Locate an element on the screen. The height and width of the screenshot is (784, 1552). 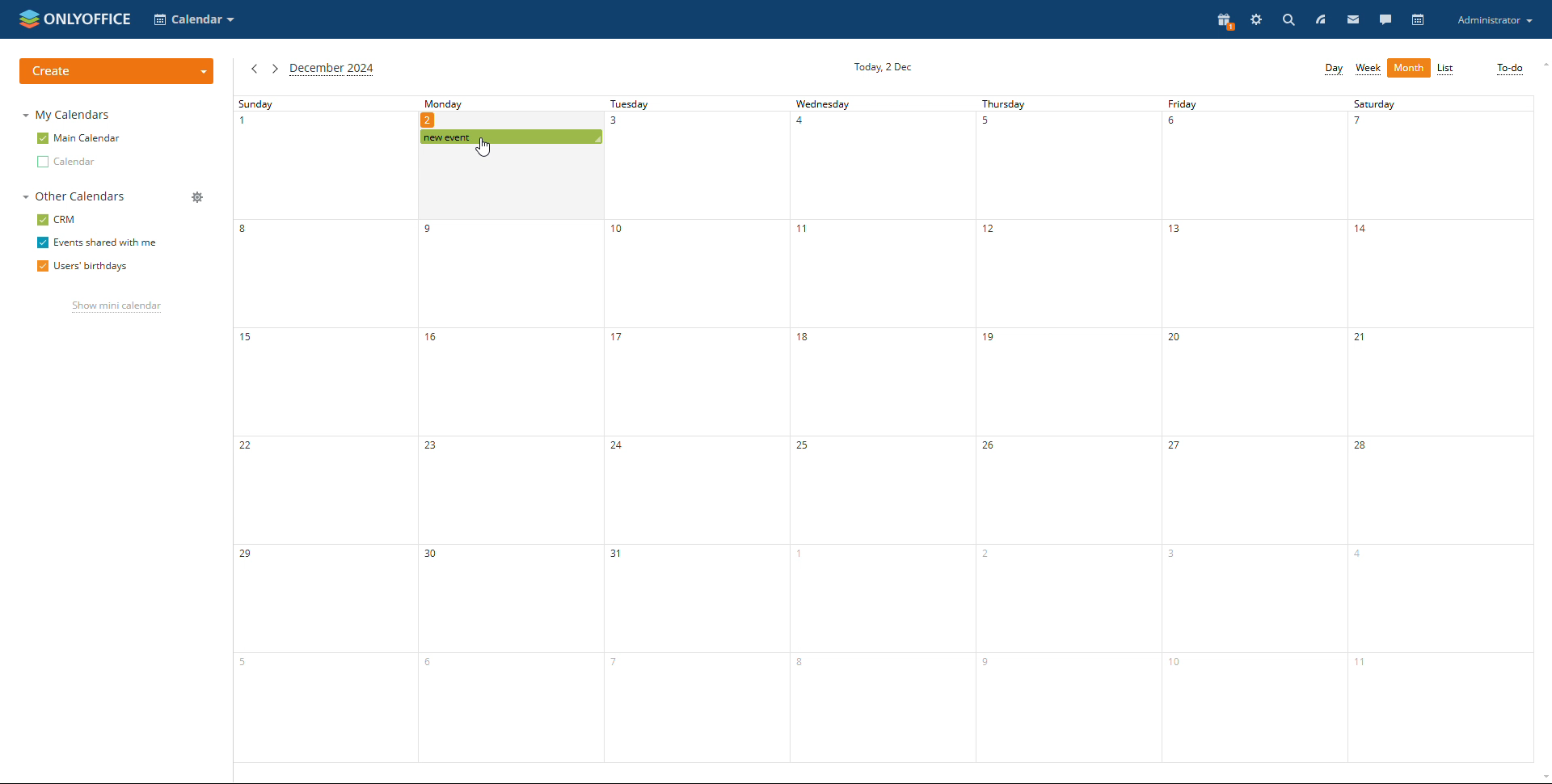
show mini calendar is located at coordinates (116, 306).